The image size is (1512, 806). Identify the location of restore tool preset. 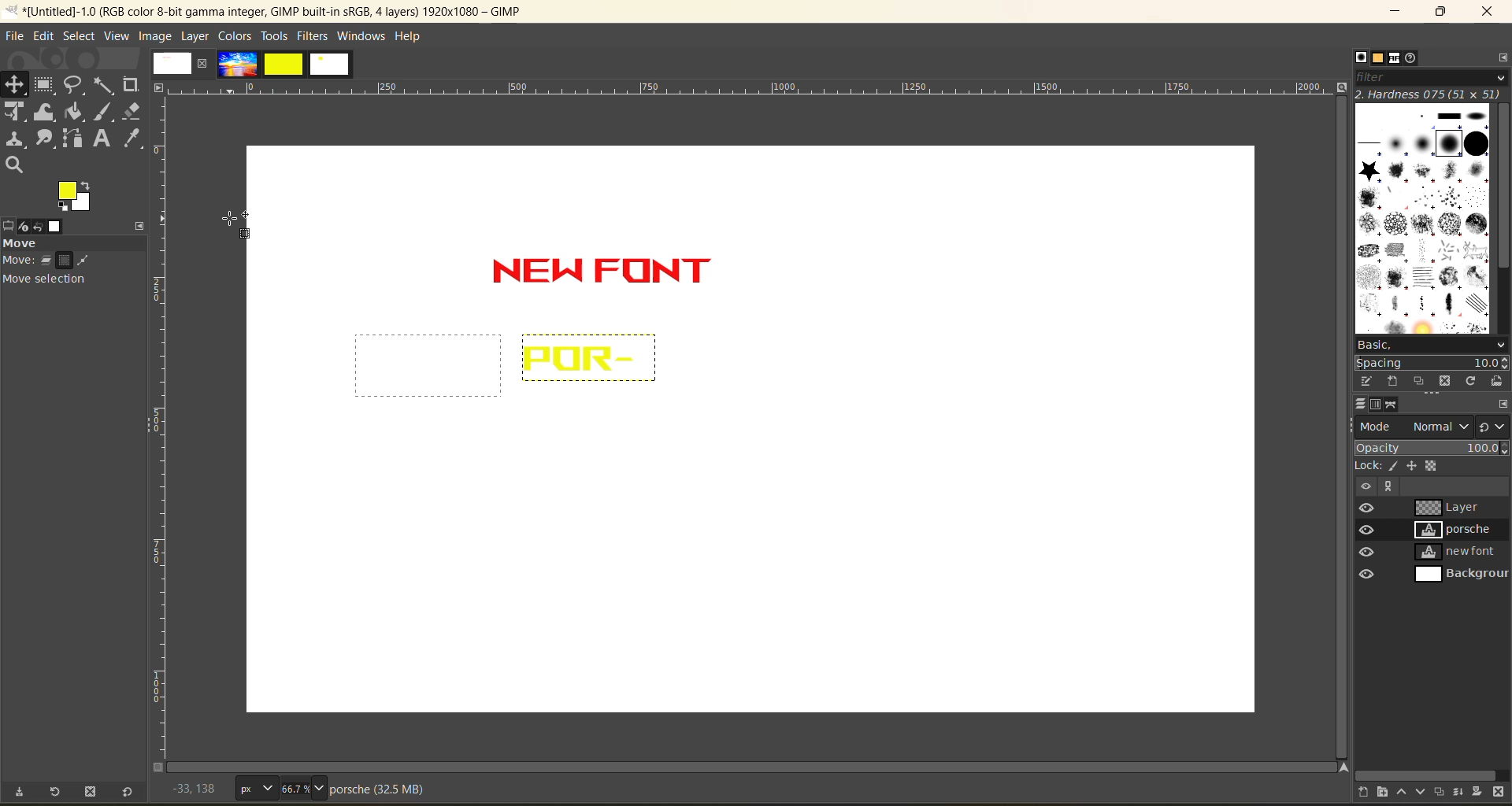
(57, 793).